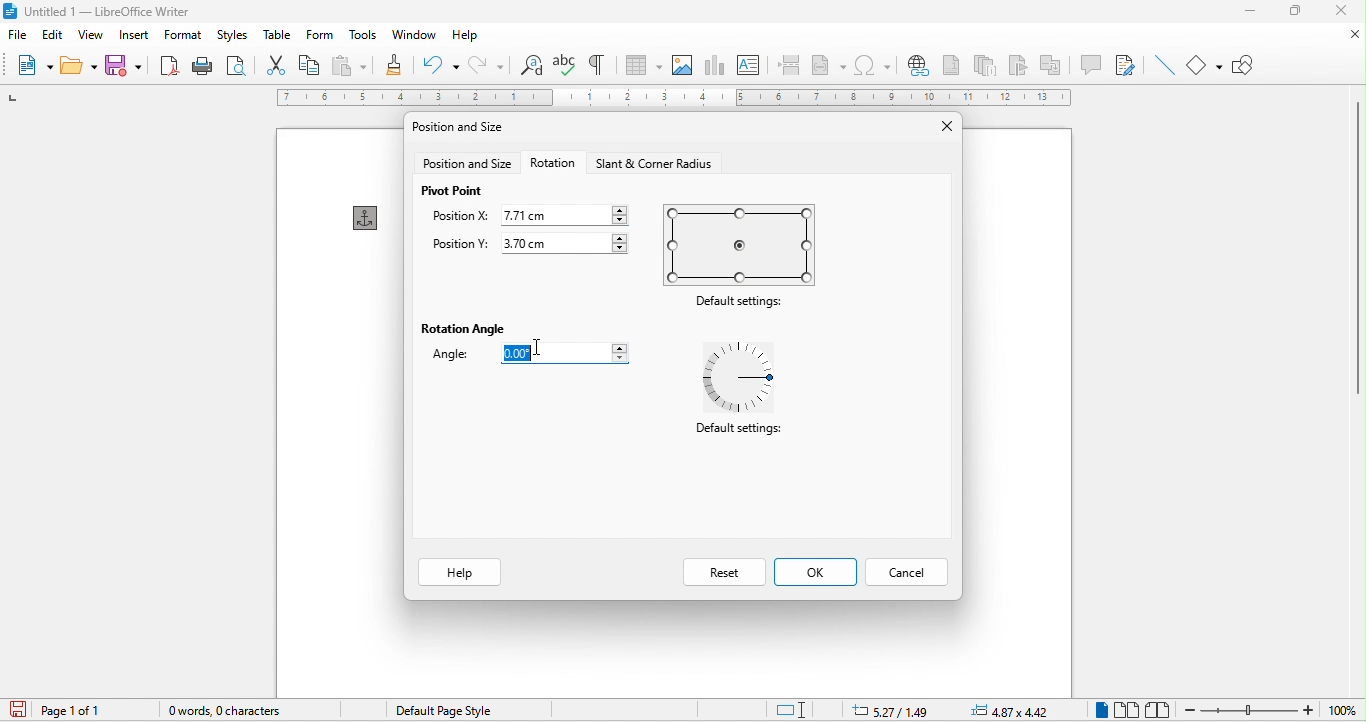  Describe the element at coordinates (34, 67) in the screenshot. I see `new` at that location.